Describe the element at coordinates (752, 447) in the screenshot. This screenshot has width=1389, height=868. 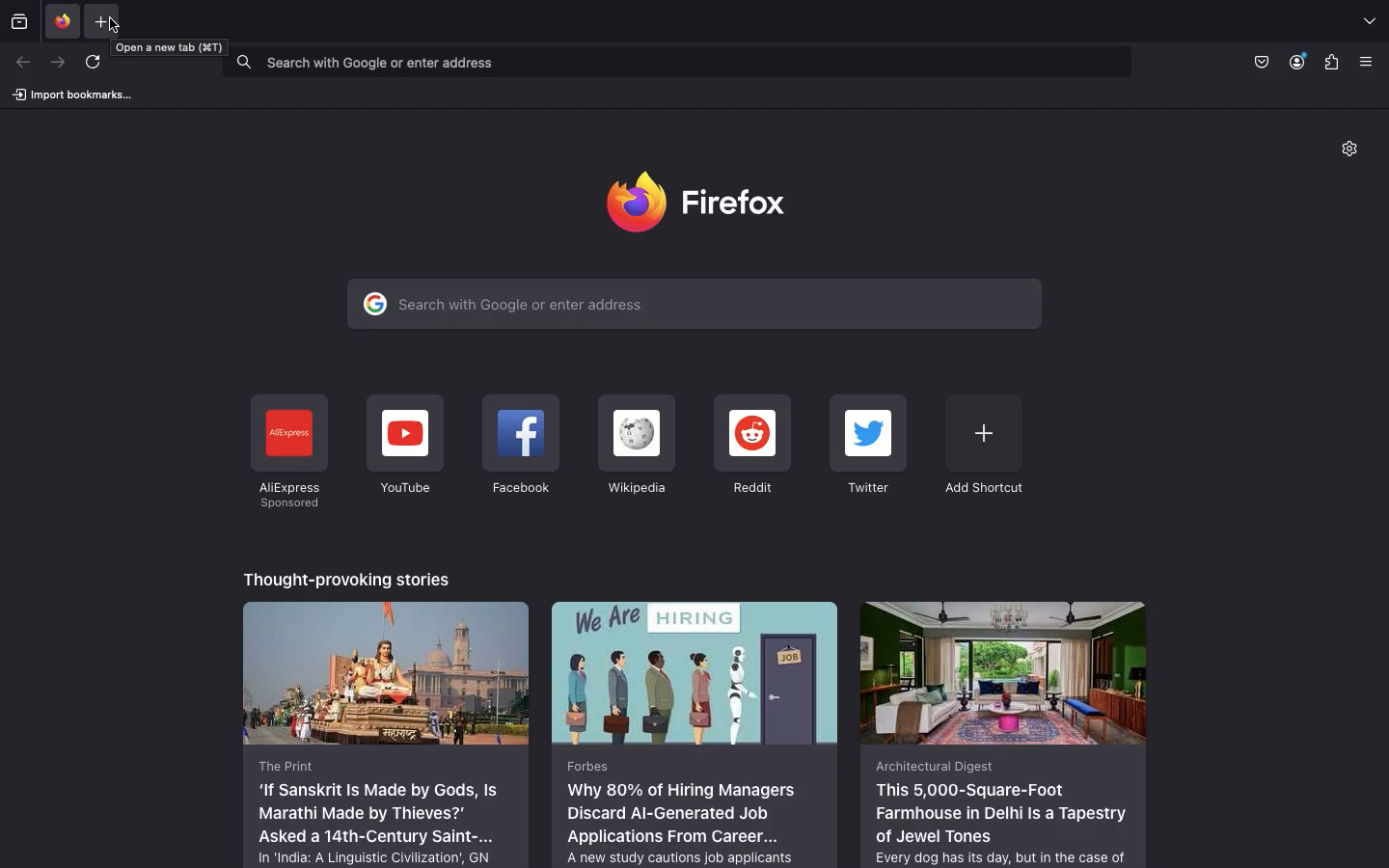
I see `Reddit` at that location.